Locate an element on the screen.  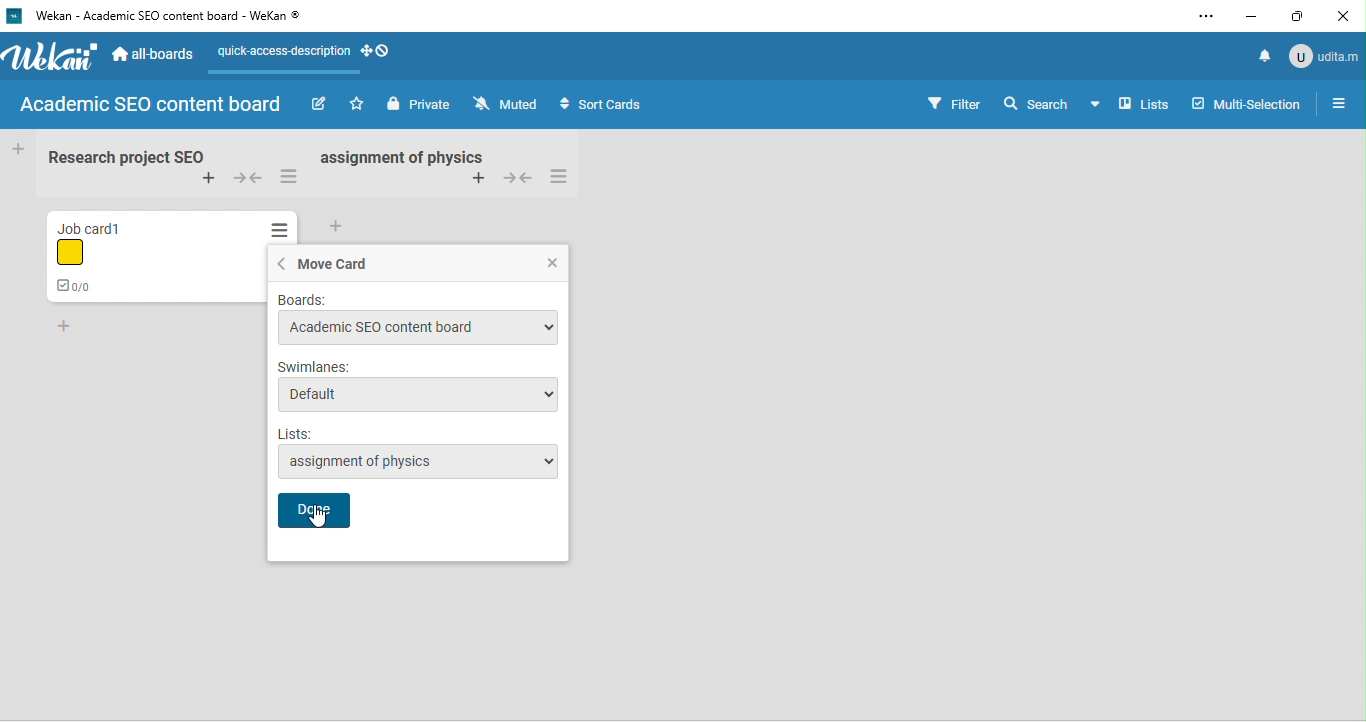
card title is located at coordinates (105, 222).